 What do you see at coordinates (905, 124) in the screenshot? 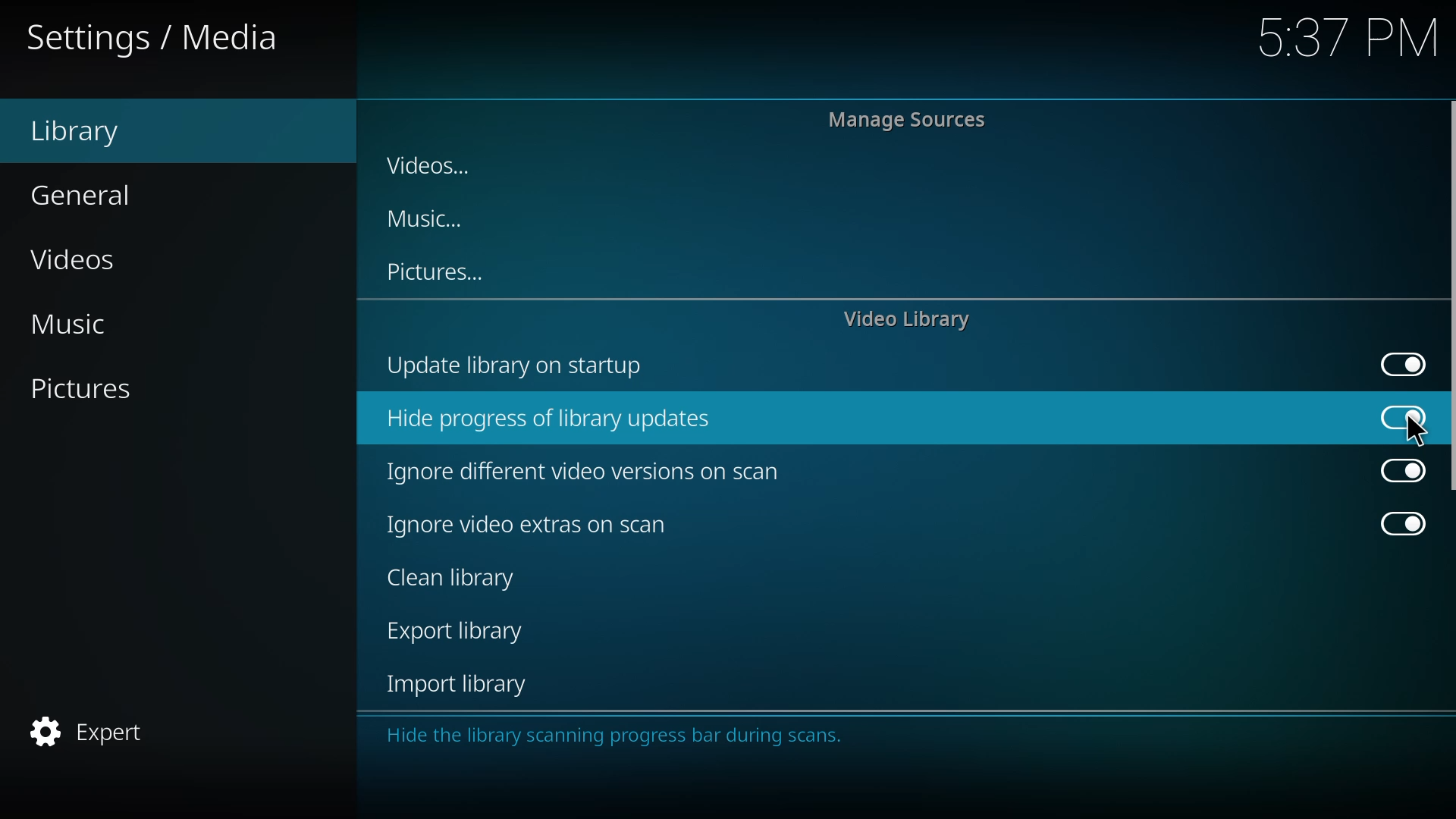
I see `manage sources` at bounding box center [905, 124].